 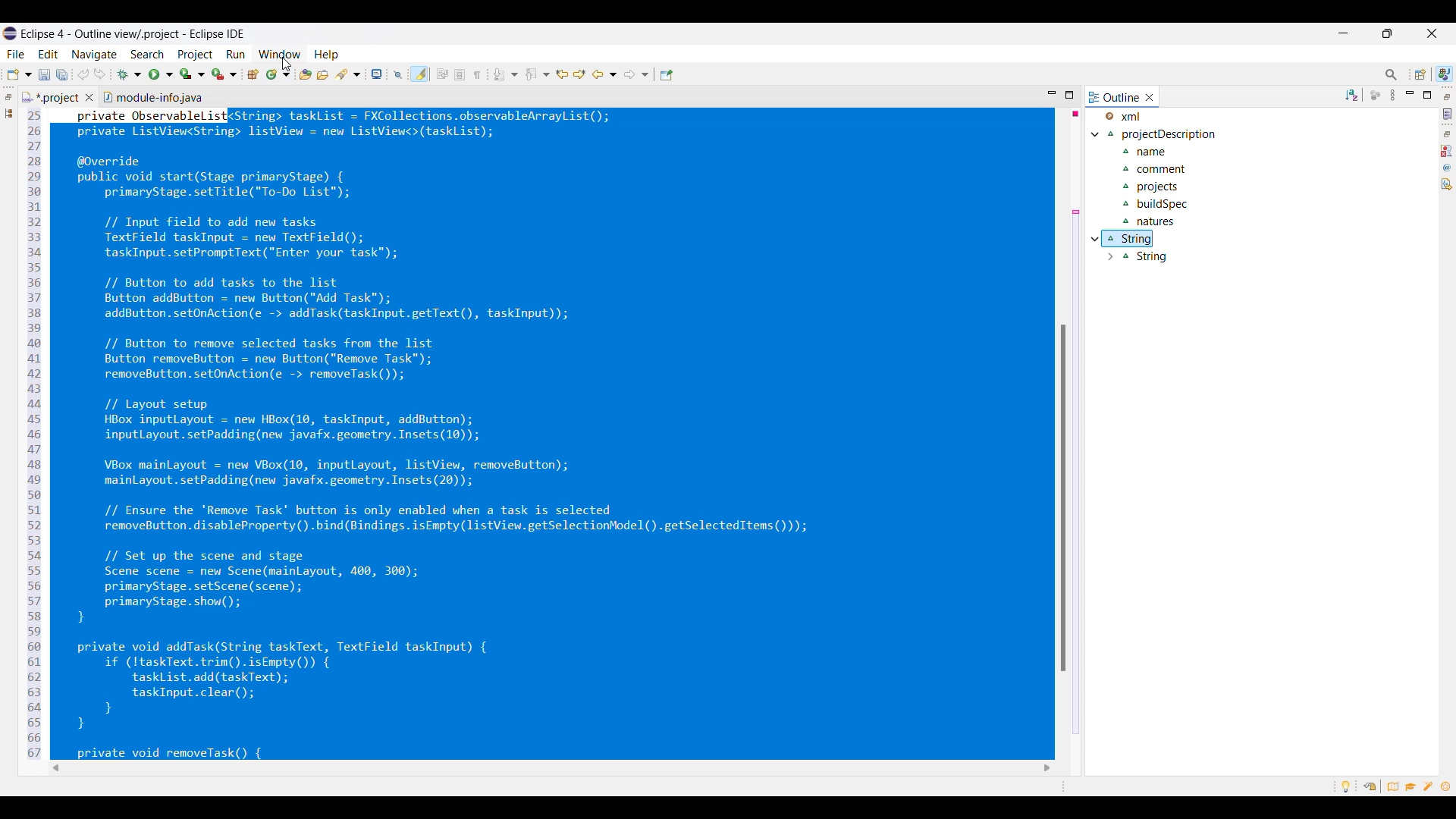 What do you see at coordinates (477, 75) in the screenshot?
I see `Show whitespace characters` at bounding box center [477, 75].